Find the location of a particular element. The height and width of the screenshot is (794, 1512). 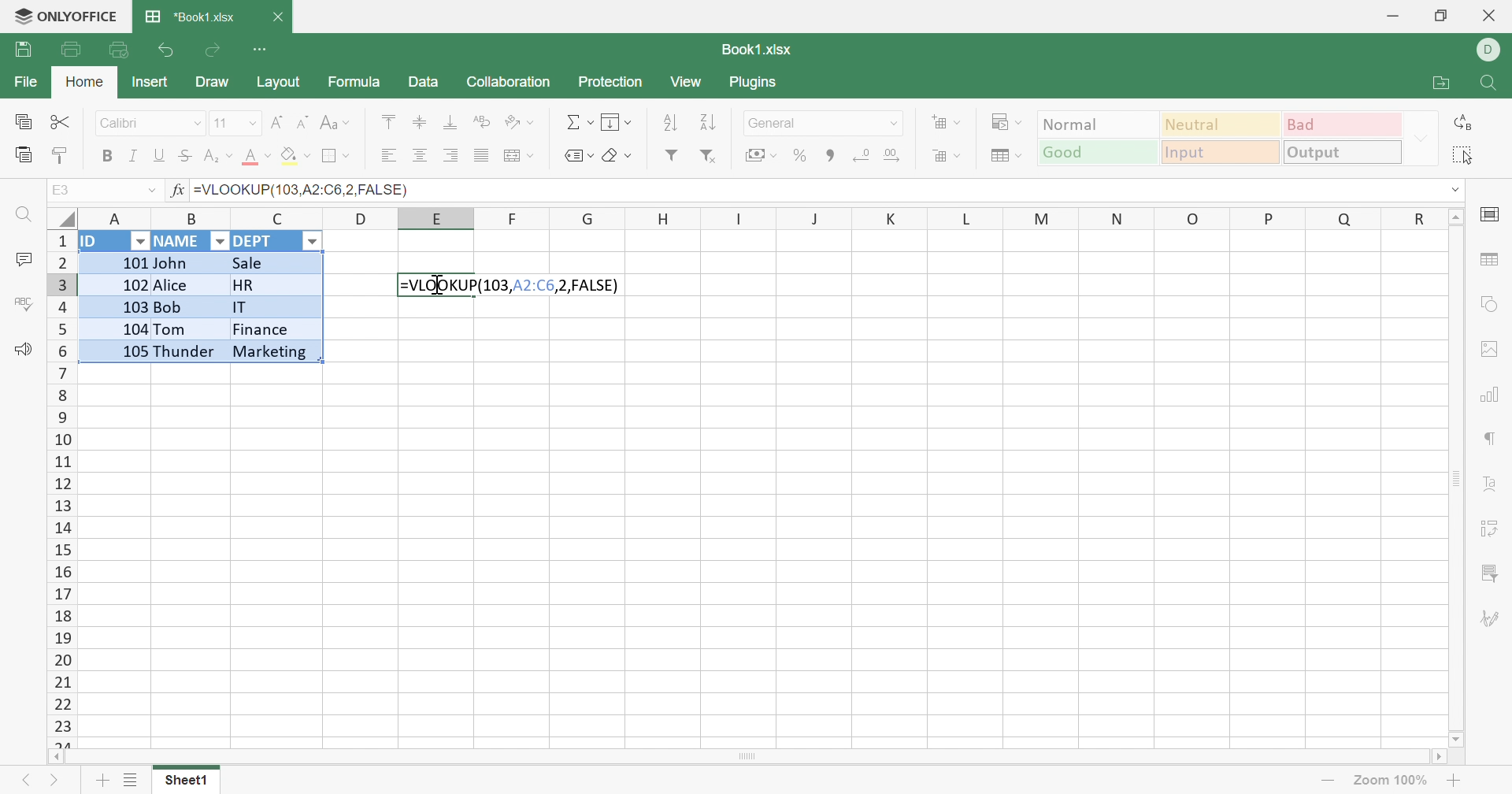

Bad is located at coordinates (1340, 128).